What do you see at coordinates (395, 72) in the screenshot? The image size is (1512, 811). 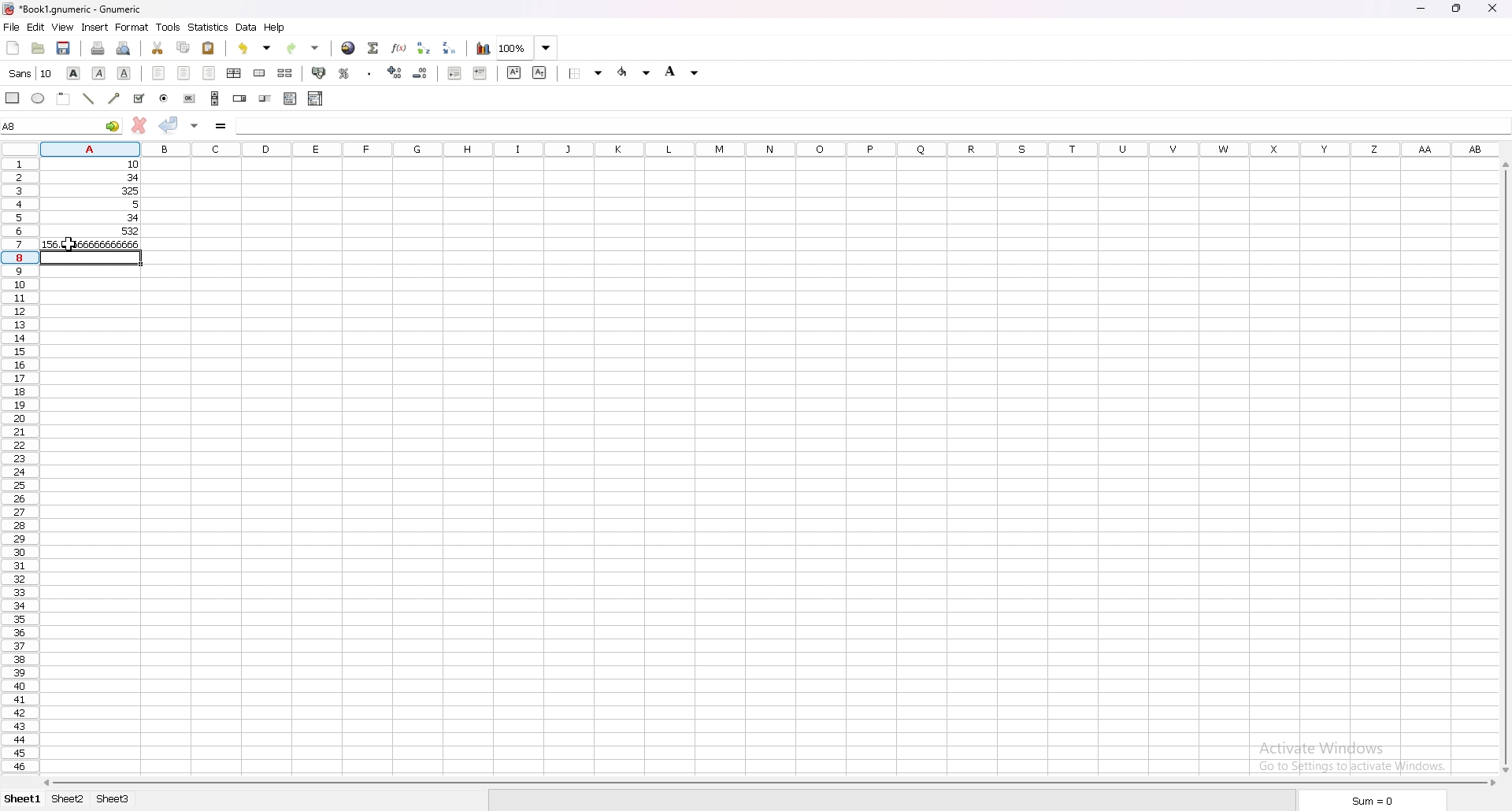 I see `increase decimals` at bounding box center [395, 72].